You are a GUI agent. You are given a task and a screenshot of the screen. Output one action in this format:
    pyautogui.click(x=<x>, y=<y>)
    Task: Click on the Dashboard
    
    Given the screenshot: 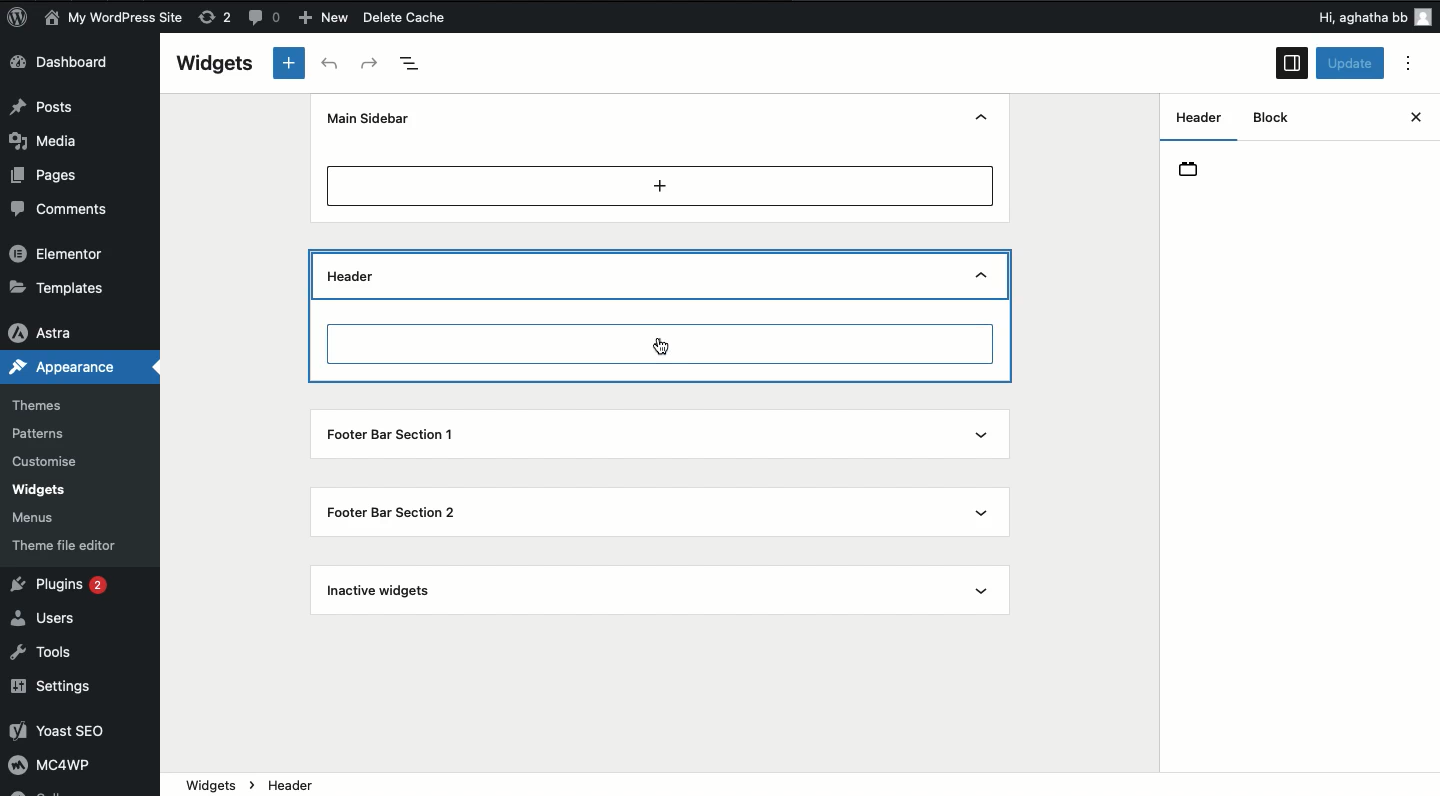 What is the action you would take?
    pyautogui.click(x=74, y=64)
    